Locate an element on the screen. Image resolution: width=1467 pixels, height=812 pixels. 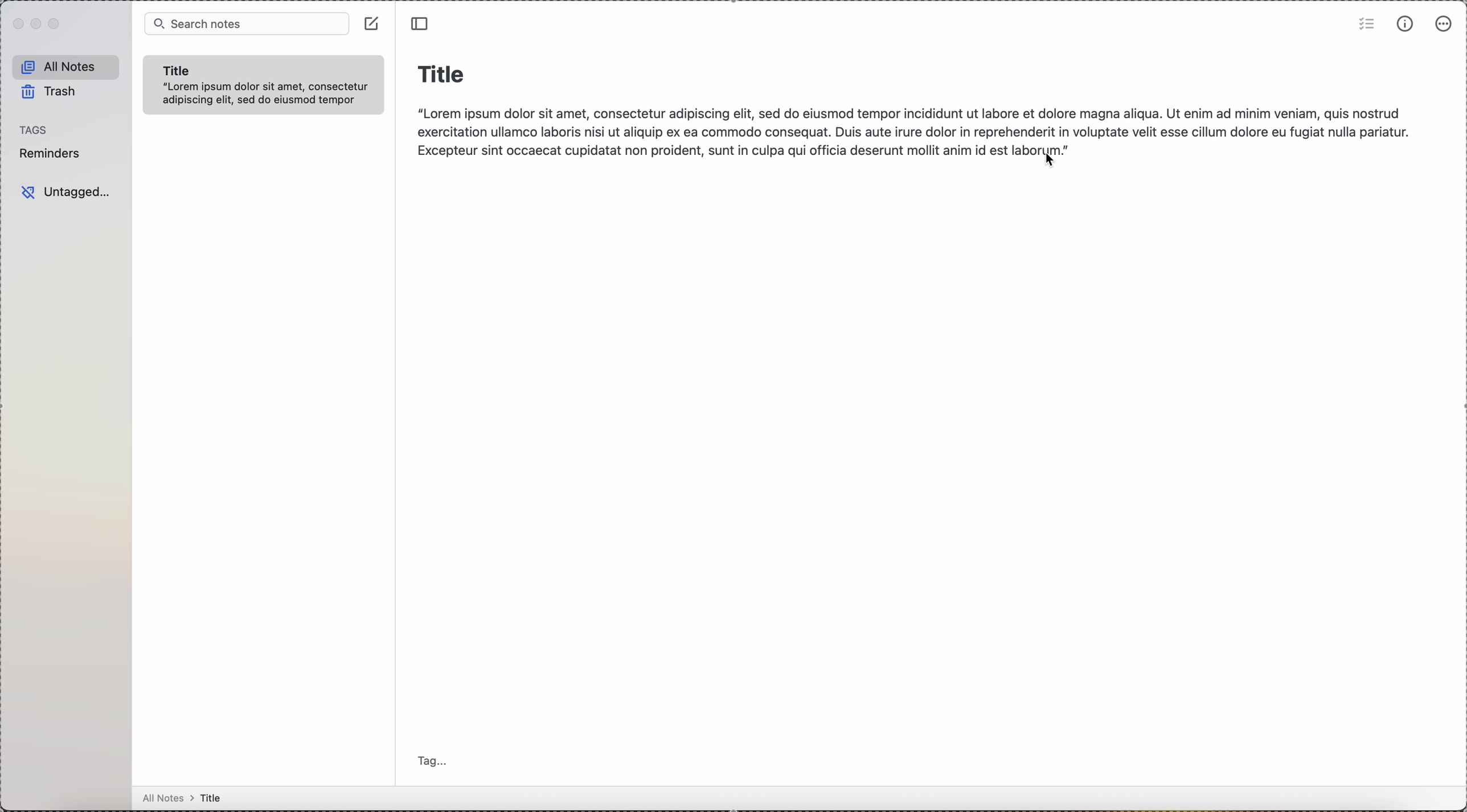
create note is located at coordinates (370, 23).